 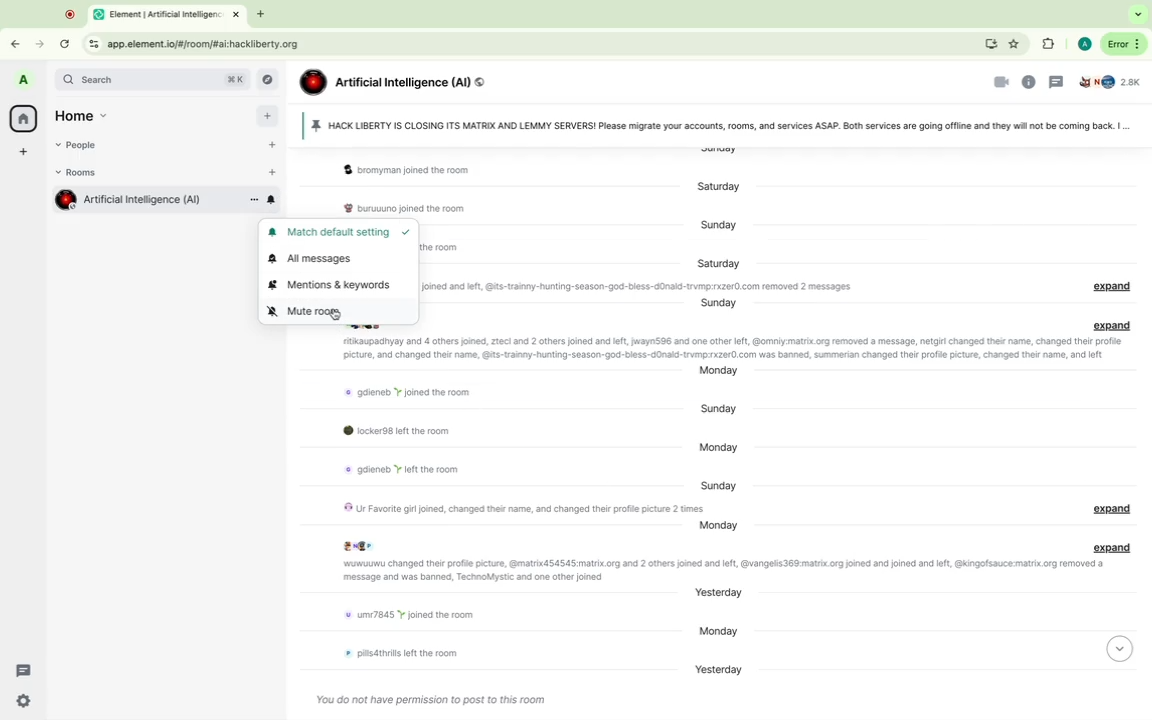 What do you see at coordinates (236, 14) in the screenshot?
I see `Close tab` at bounding box center [236, 14].